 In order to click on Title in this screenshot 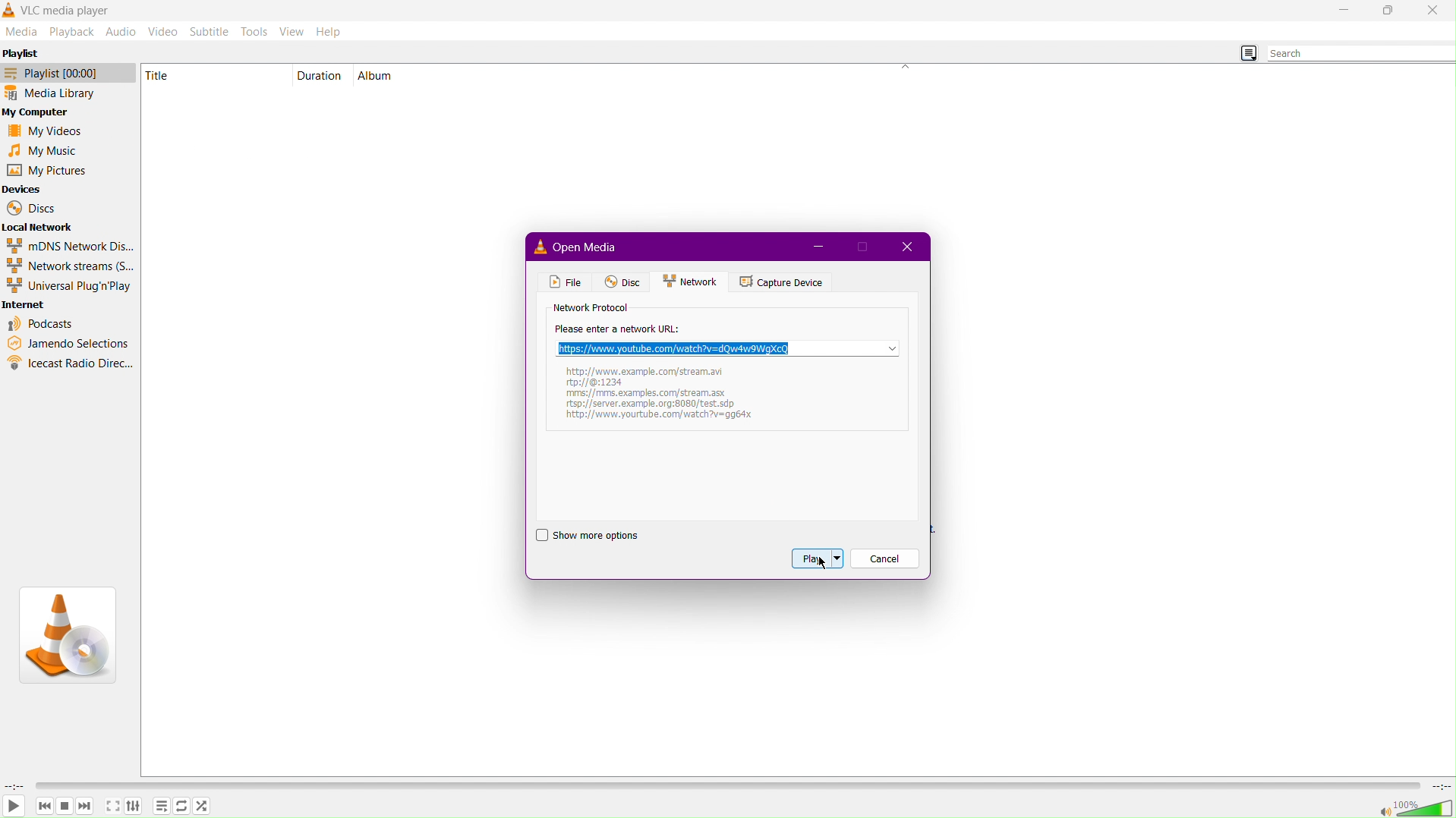, I will do `click(166, 75)`.